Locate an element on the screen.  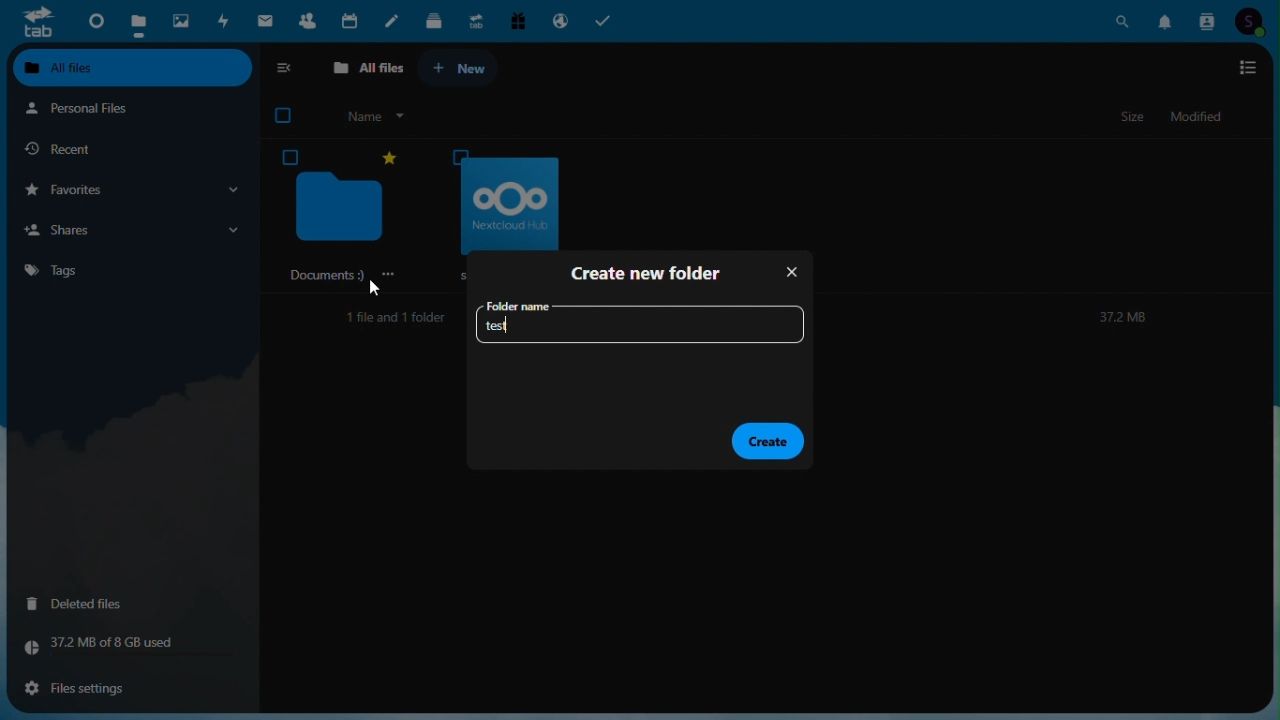
tab is located at coordinates (32, 21).